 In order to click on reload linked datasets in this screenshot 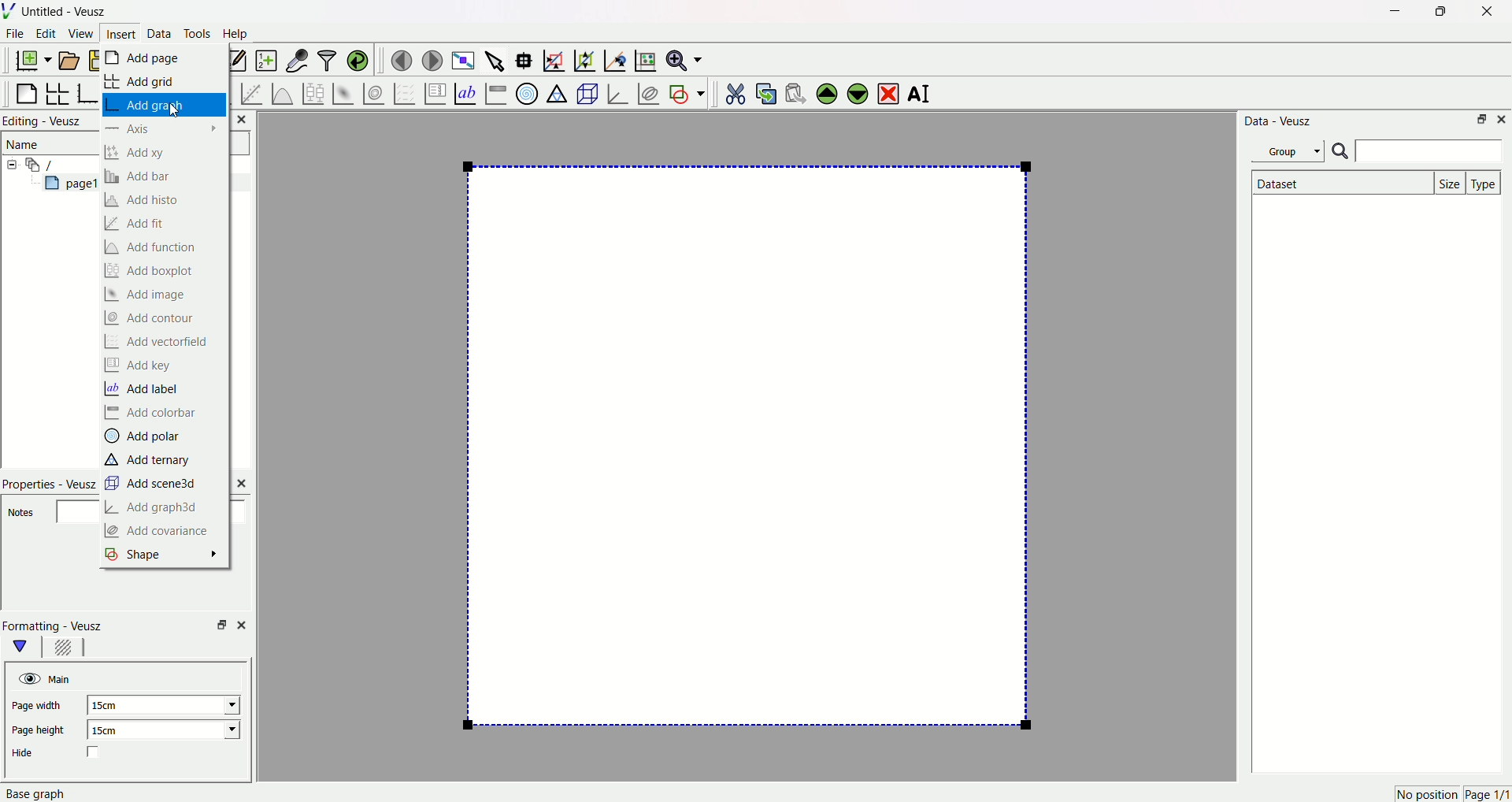, I will do `click(358, 58)`.